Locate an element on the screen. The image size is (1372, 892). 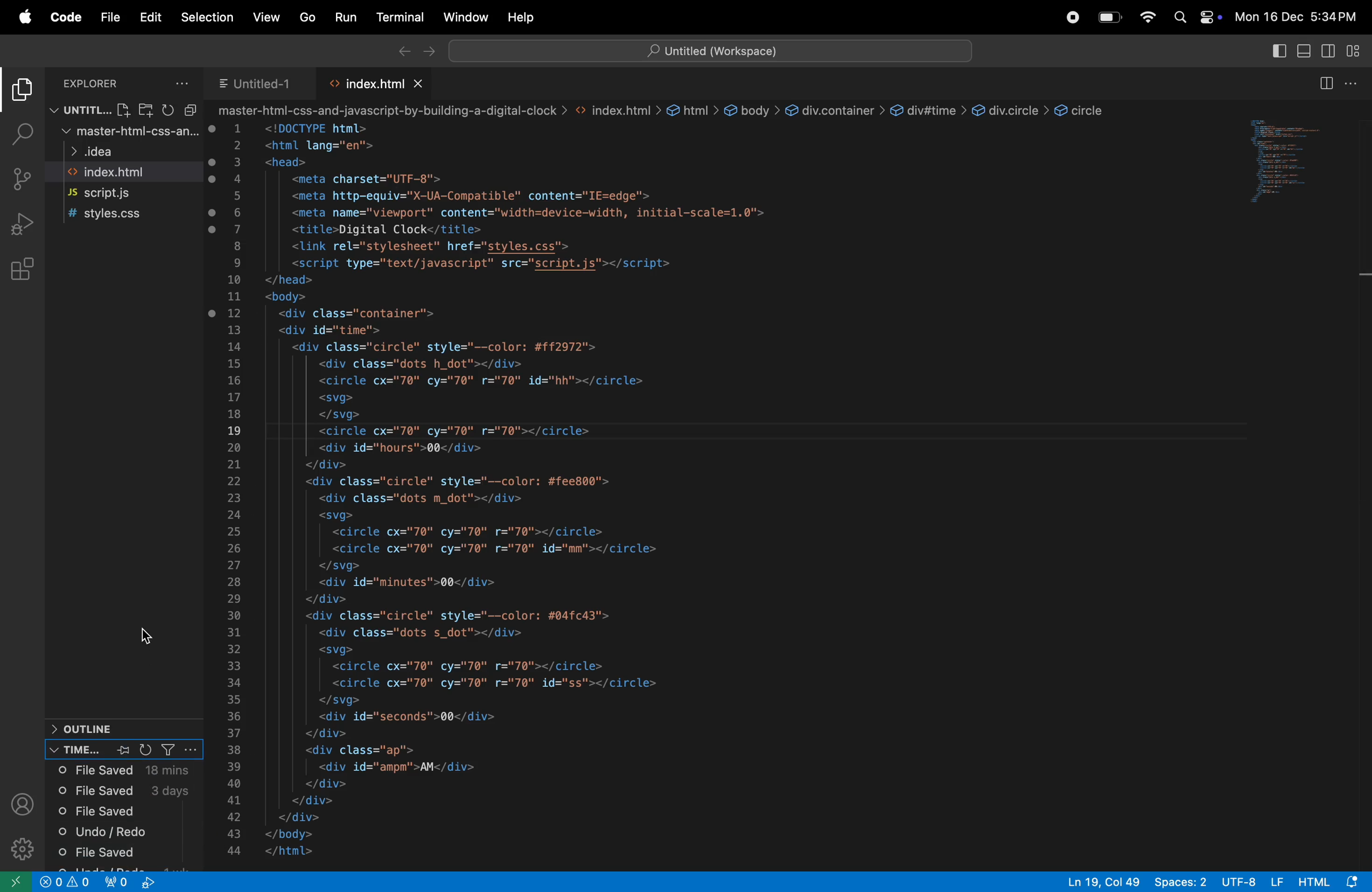
Ln 19, Col 49 is located at coordinates (1100, 882).